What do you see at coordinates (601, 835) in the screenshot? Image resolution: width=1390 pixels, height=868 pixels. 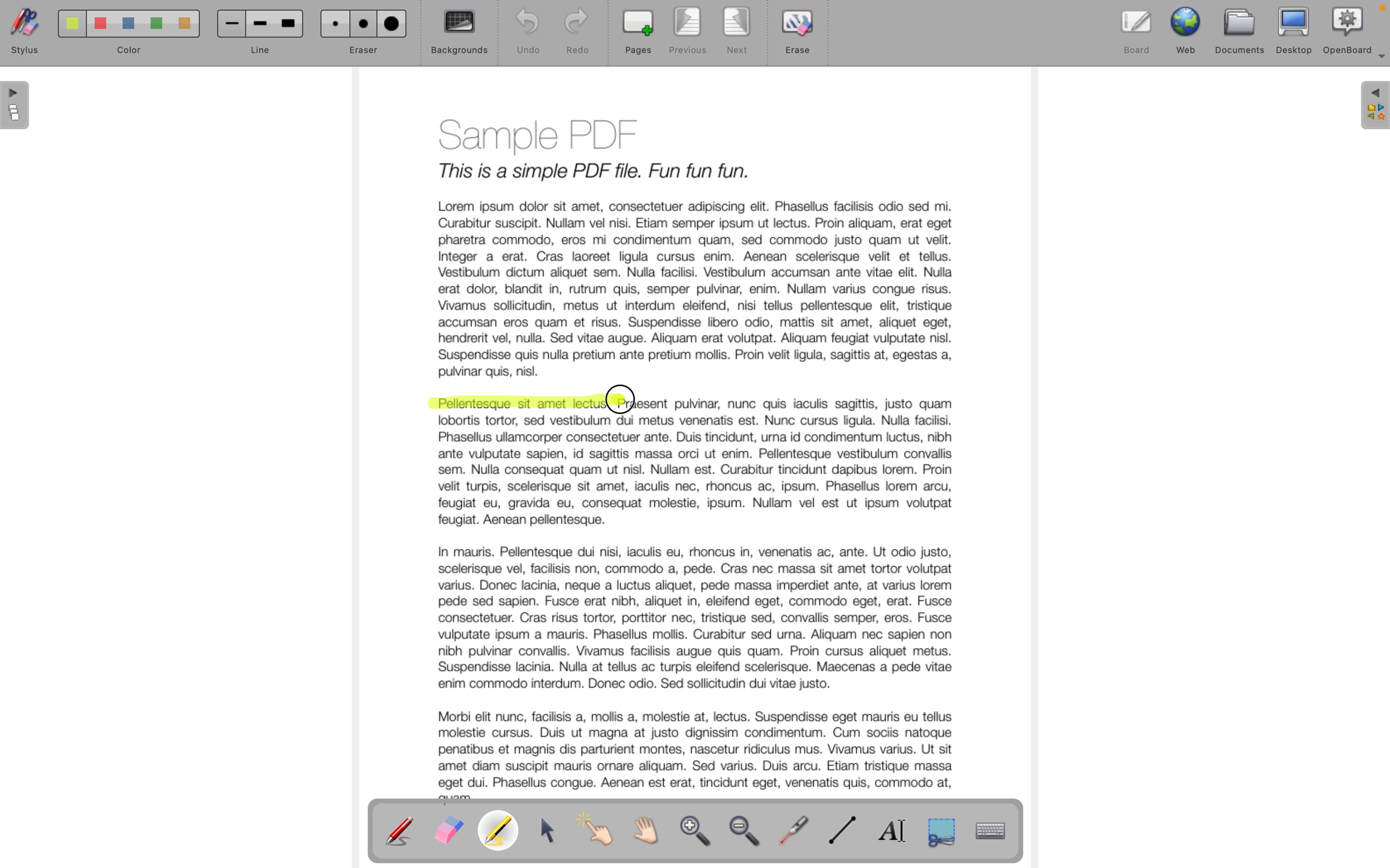 I see `interact with items` at bounding box center [601, 835].